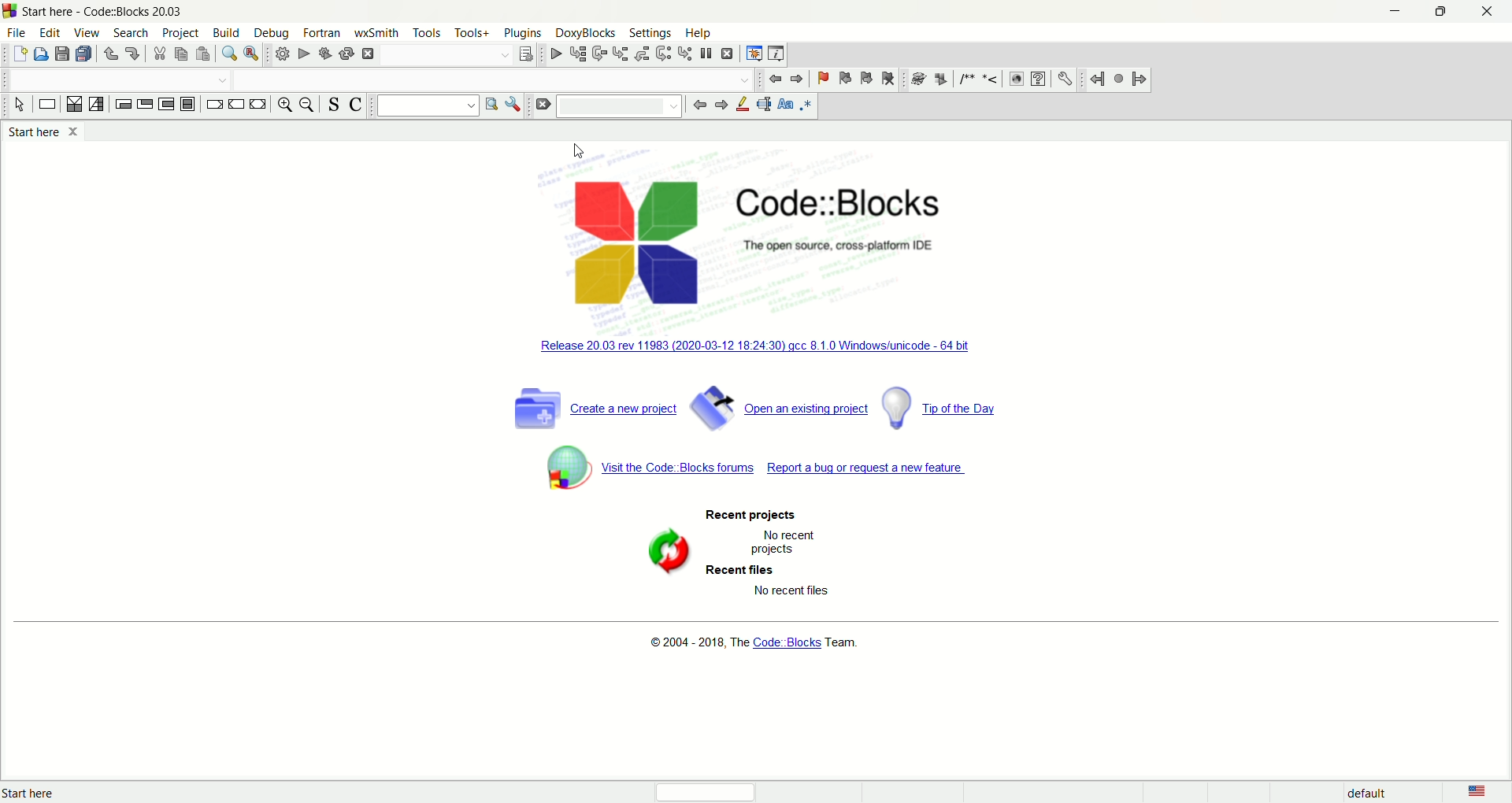  Describe the element at coordinates (772, 79) in the screenshot. I see `jump bacj` at that location.